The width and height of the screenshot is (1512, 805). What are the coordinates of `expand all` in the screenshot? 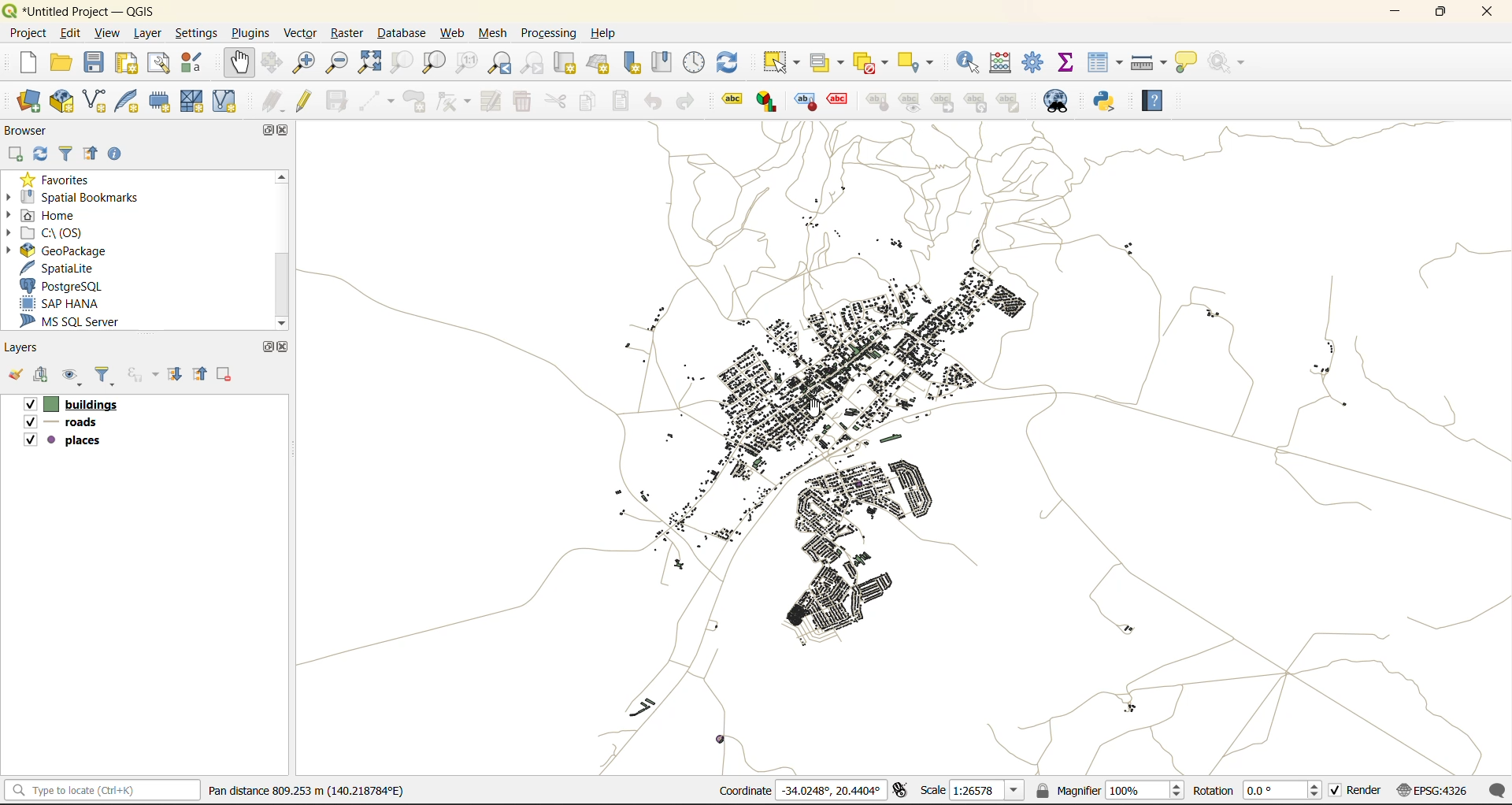 It's located at (177, 375).